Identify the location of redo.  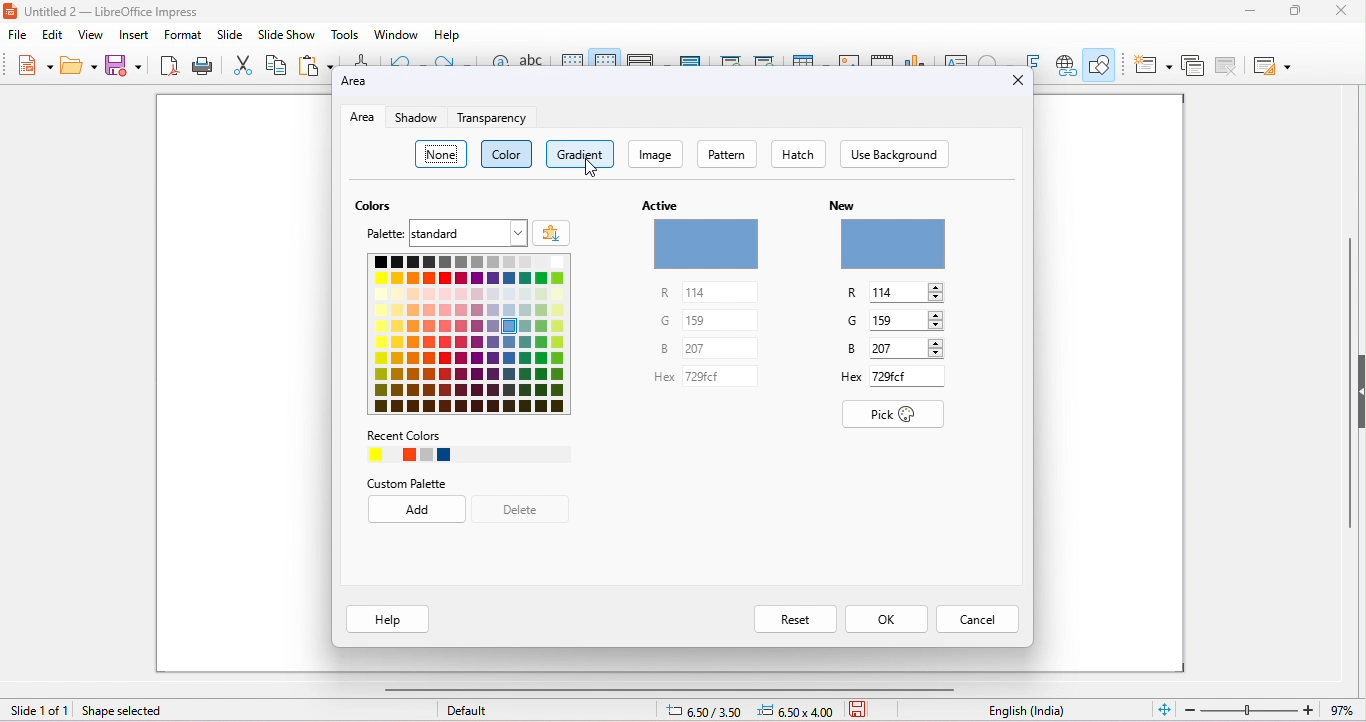
(456, 60).